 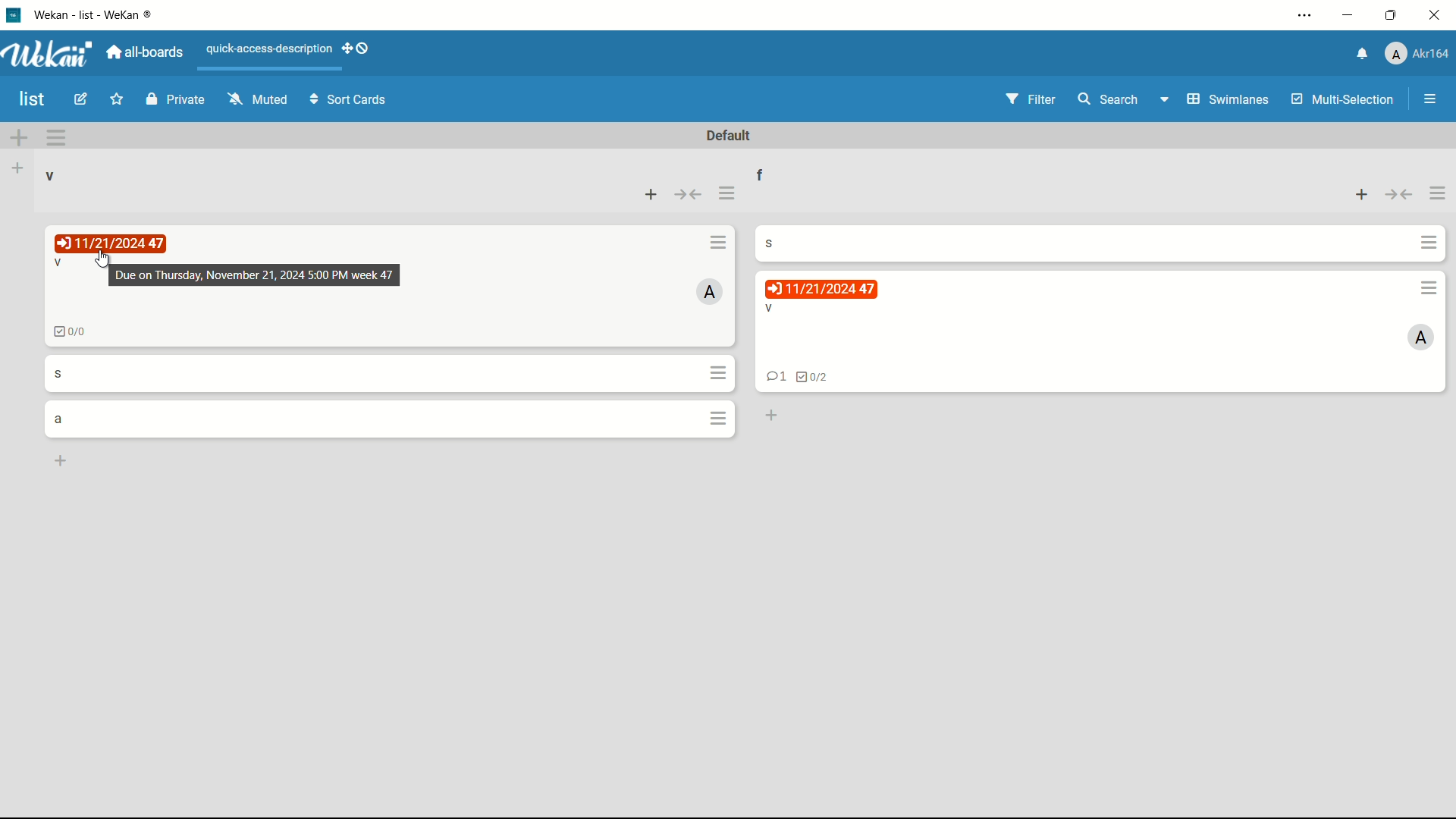 What do you see at coordinates (146, 52) in the screenshot?
I see `all boards` at bounding box center [146, 52].